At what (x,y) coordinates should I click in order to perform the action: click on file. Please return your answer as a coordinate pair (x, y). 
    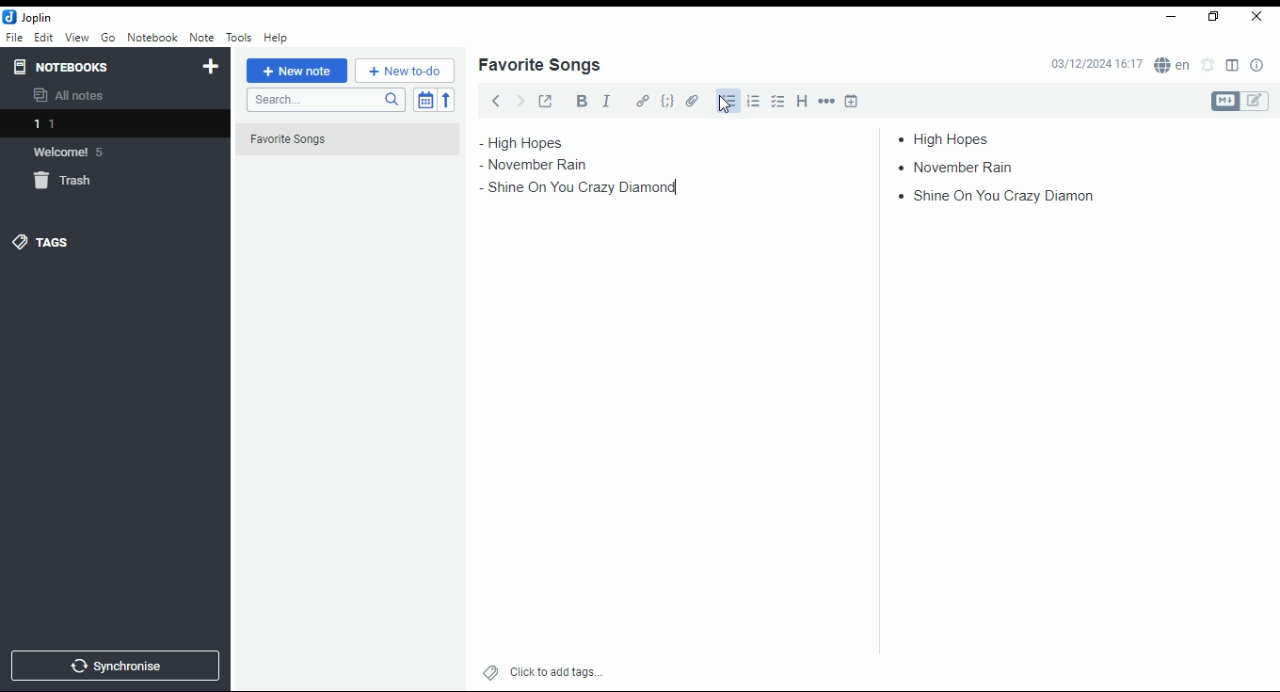
    Looking at the image, I should click on (14, 36).